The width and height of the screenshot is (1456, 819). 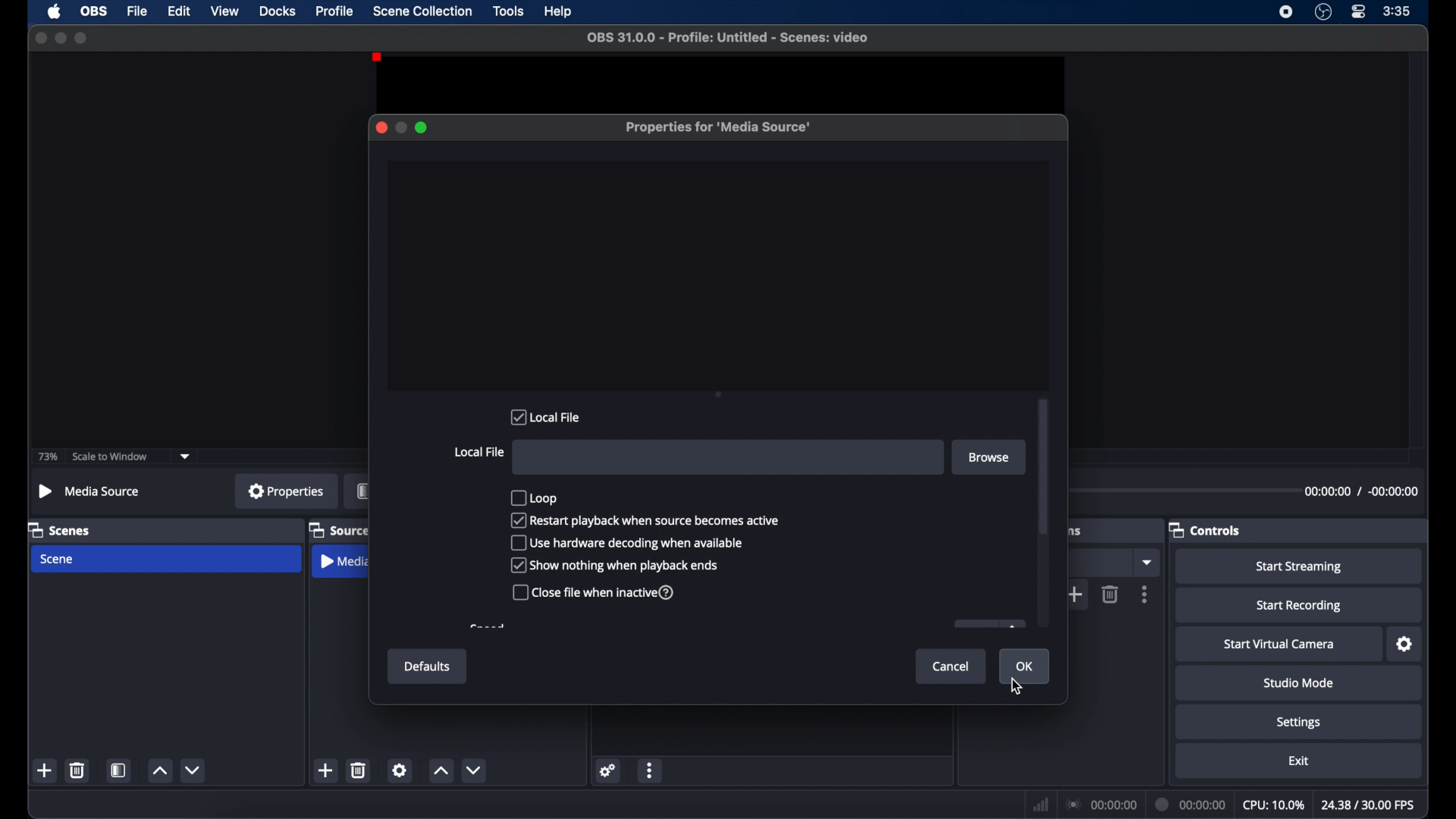 I want to click on studio mode, so click(x=1300, y=682).